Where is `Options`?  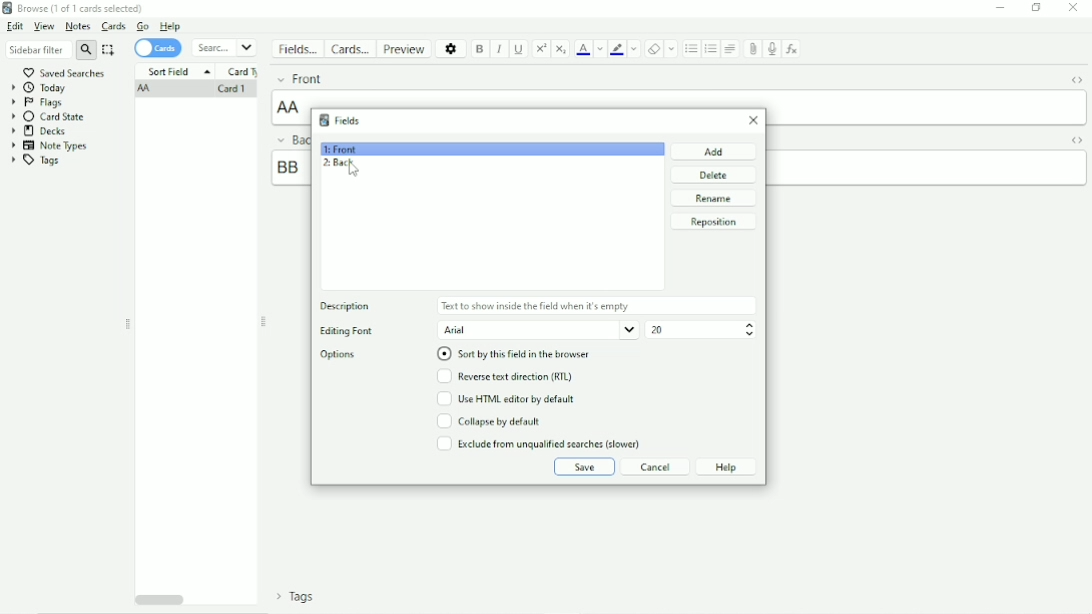
Options is located at coordinates (343, 355).